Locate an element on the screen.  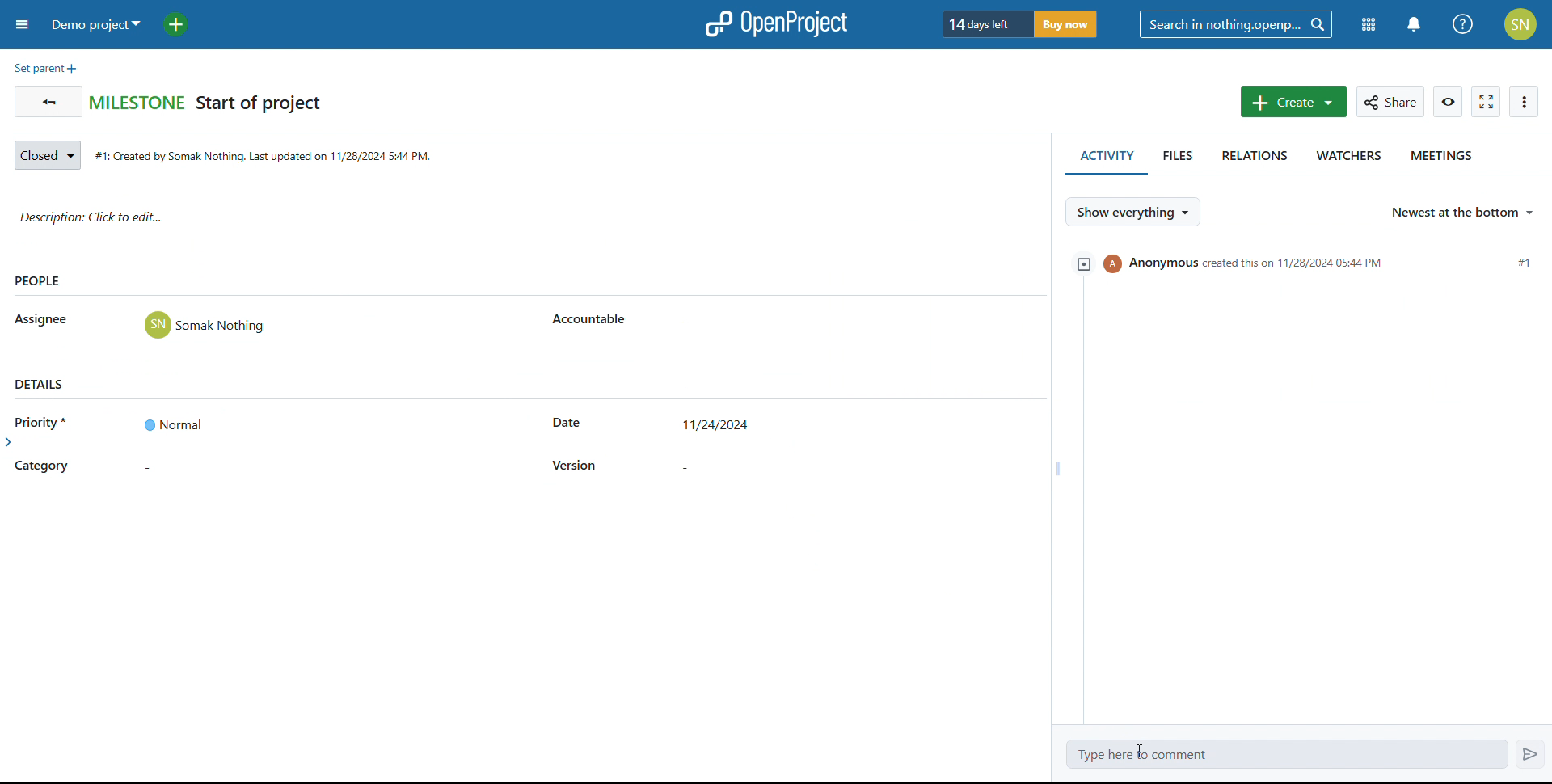
priority is located at coordinates (47, 421).